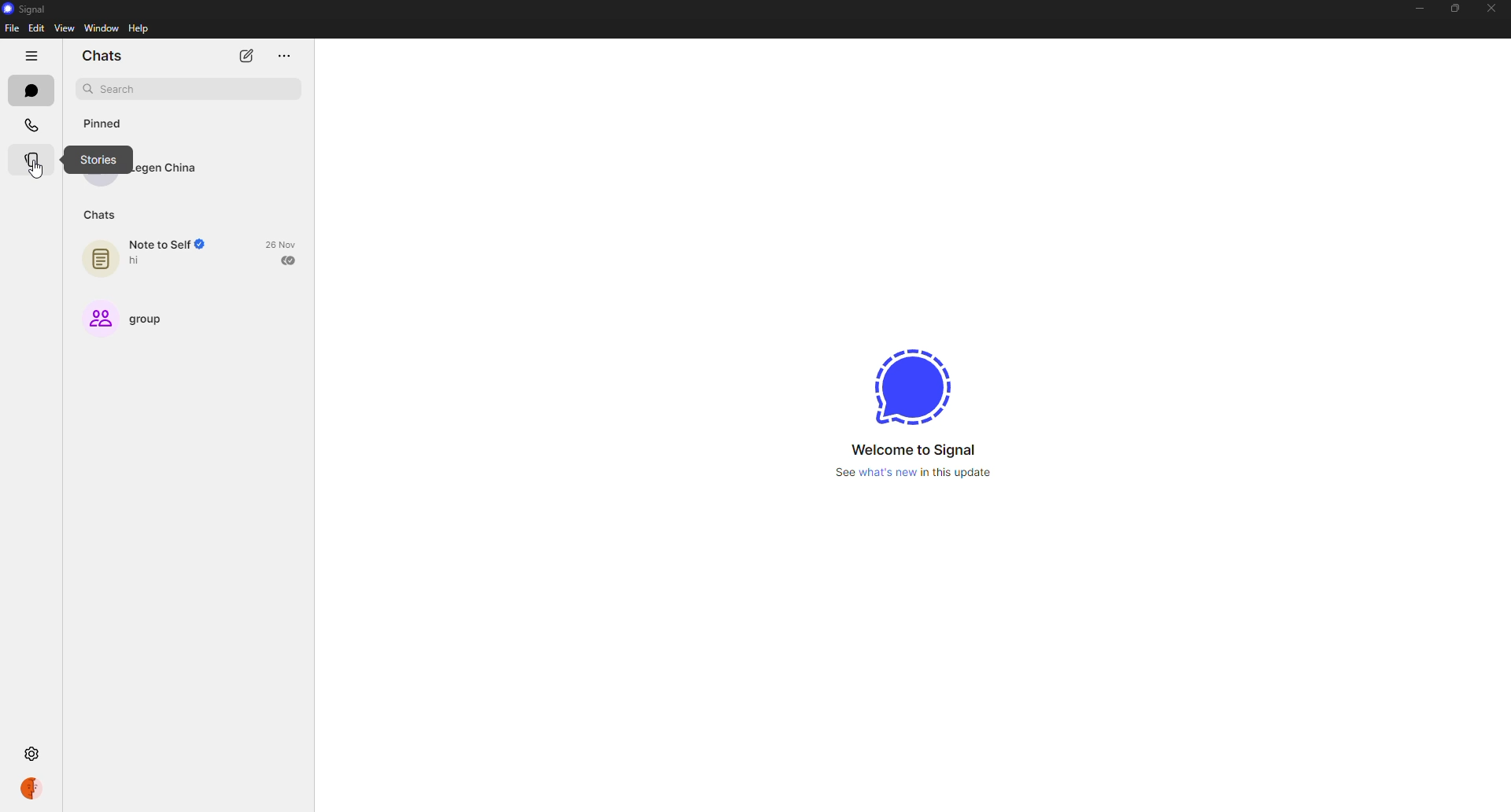  Describe the element at coordinates (1413, 9) in the screenshot. I see `minimize` at that location.